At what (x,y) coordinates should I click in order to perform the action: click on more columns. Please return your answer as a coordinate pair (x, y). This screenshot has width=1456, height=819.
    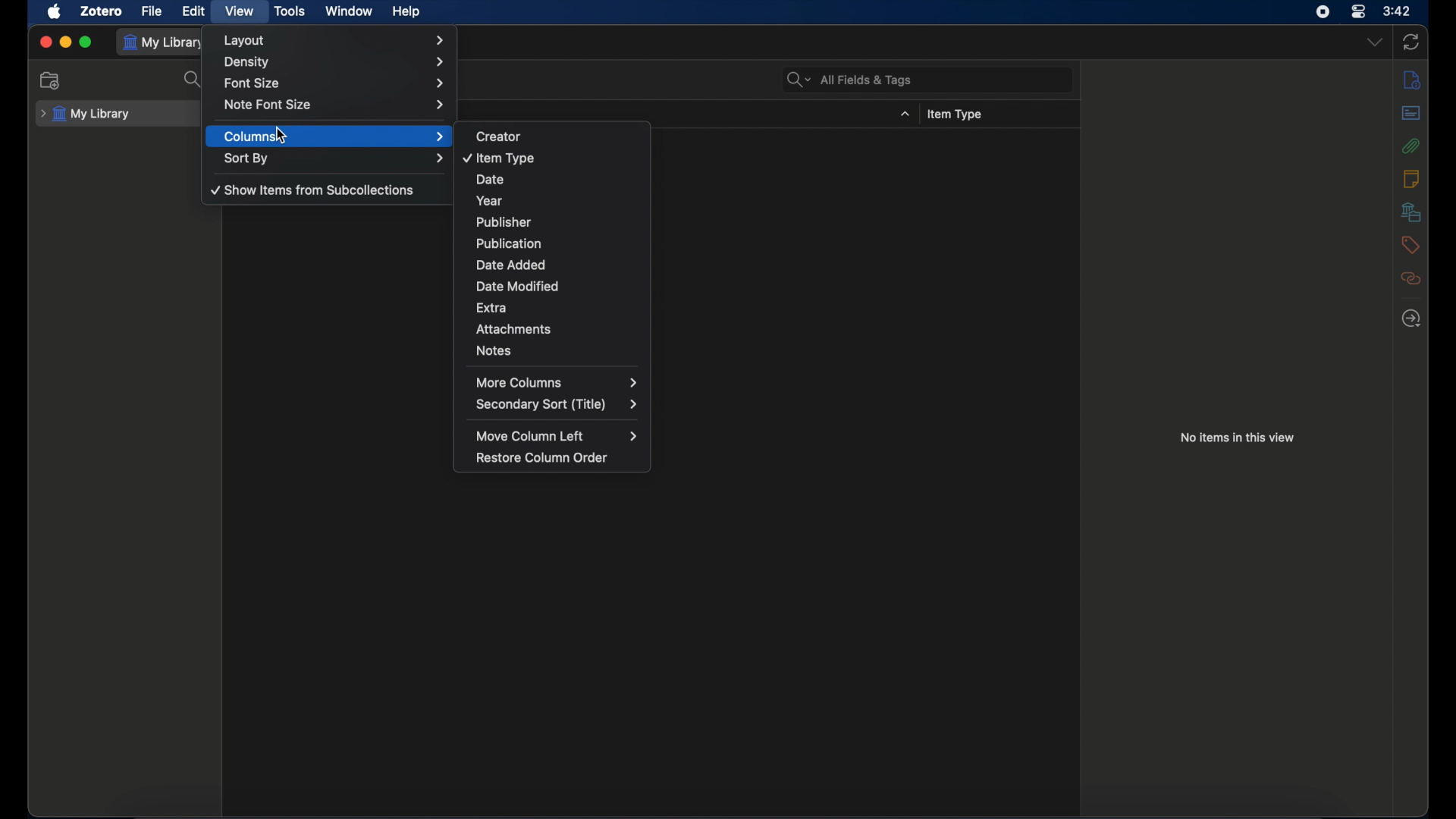
    Looking at the image, I should click on (559, 383).